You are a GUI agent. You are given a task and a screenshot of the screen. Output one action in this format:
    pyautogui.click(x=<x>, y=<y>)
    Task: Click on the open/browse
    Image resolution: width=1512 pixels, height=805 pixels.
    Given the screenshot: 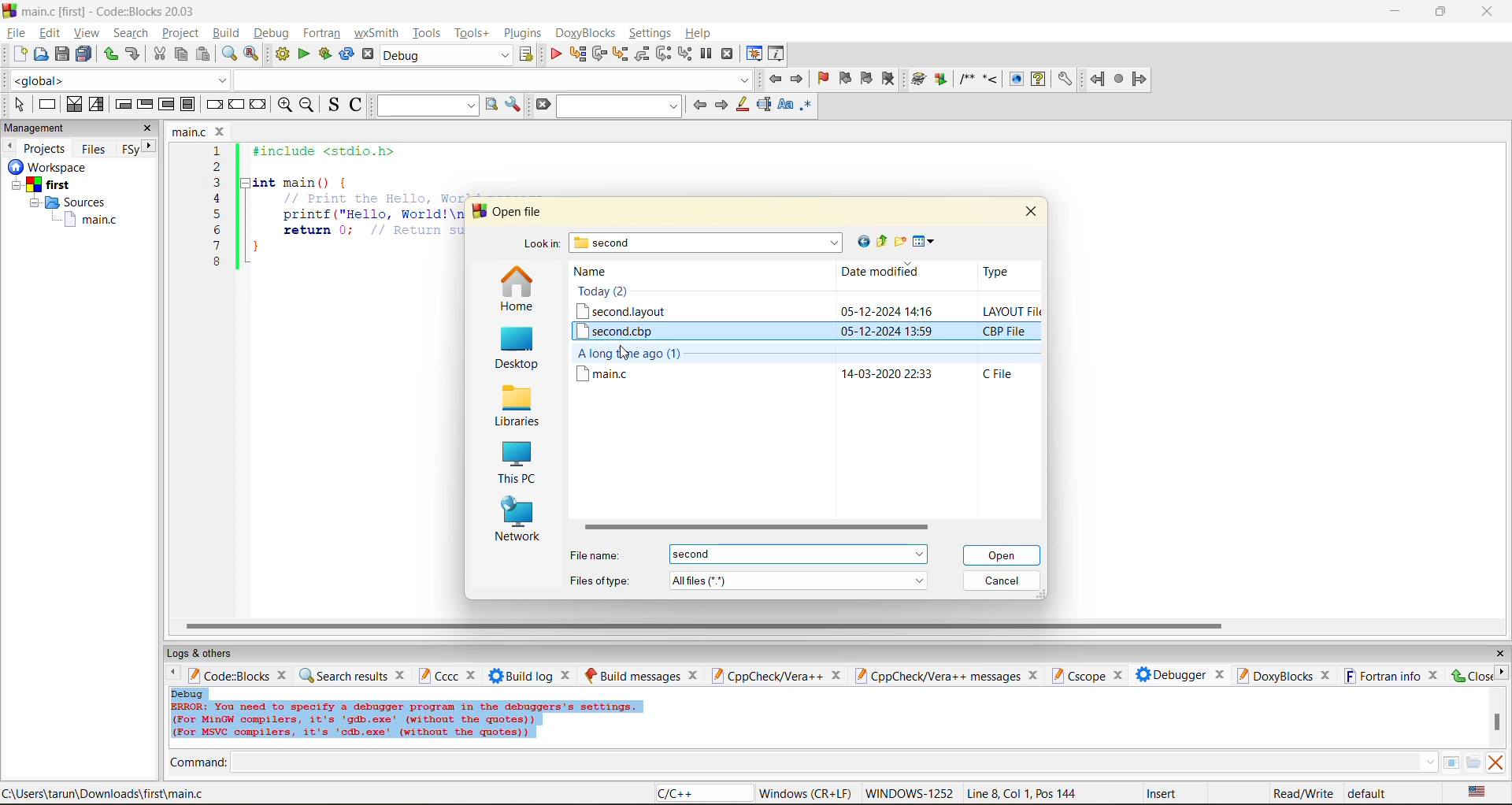 What is the action you would take?
    pyautogui.click(x=1473, y=763)
    